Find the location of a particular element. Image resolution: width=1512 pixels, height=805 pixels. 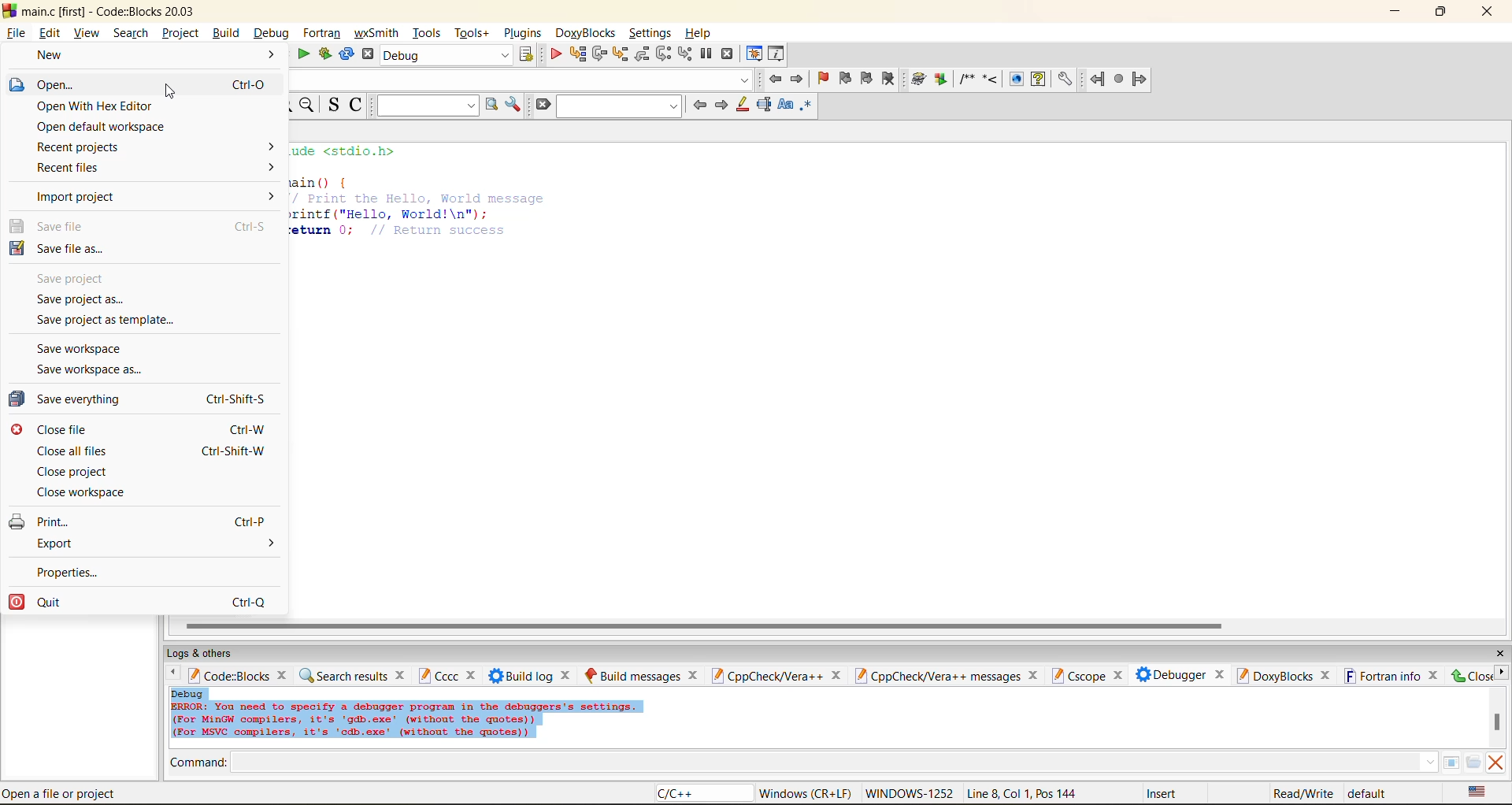

view is located at coordinates (88, 32).